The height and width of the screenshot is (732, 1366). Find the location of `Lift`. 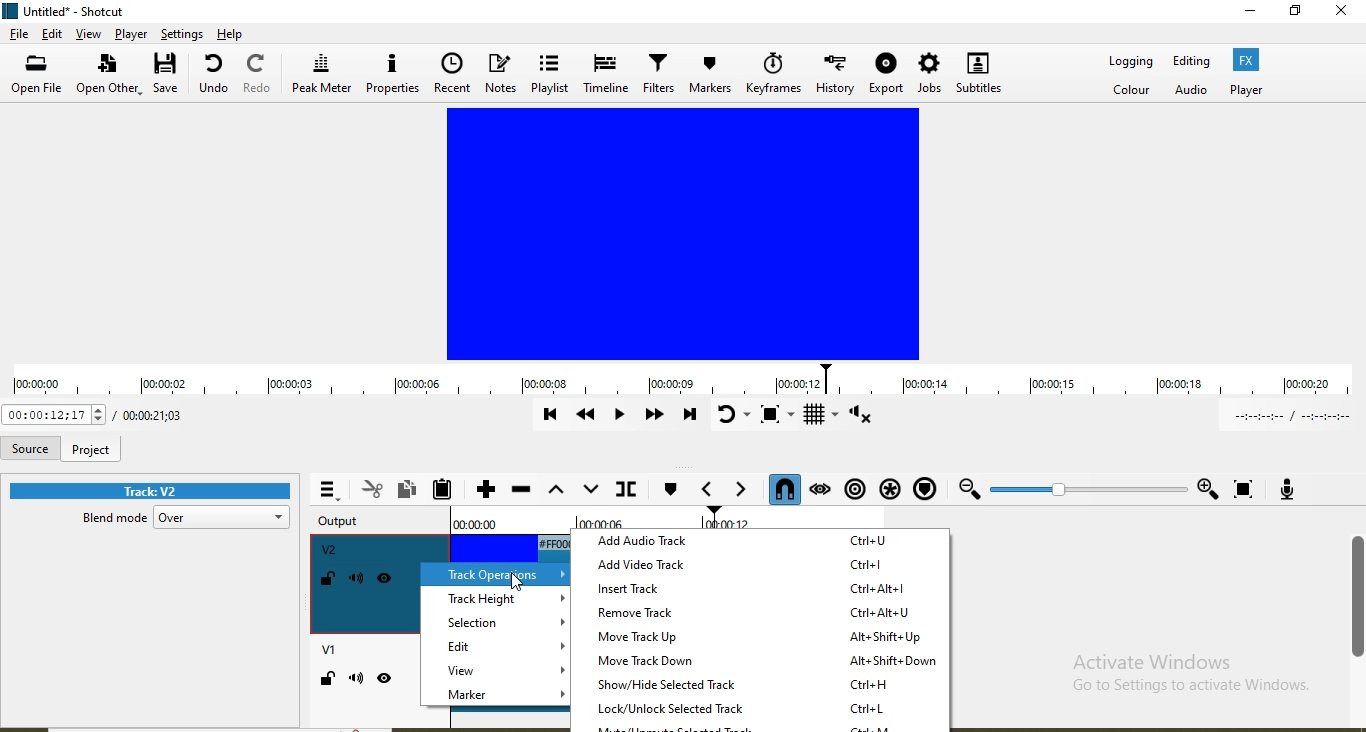

Lift is located at coordinates (556, 488).